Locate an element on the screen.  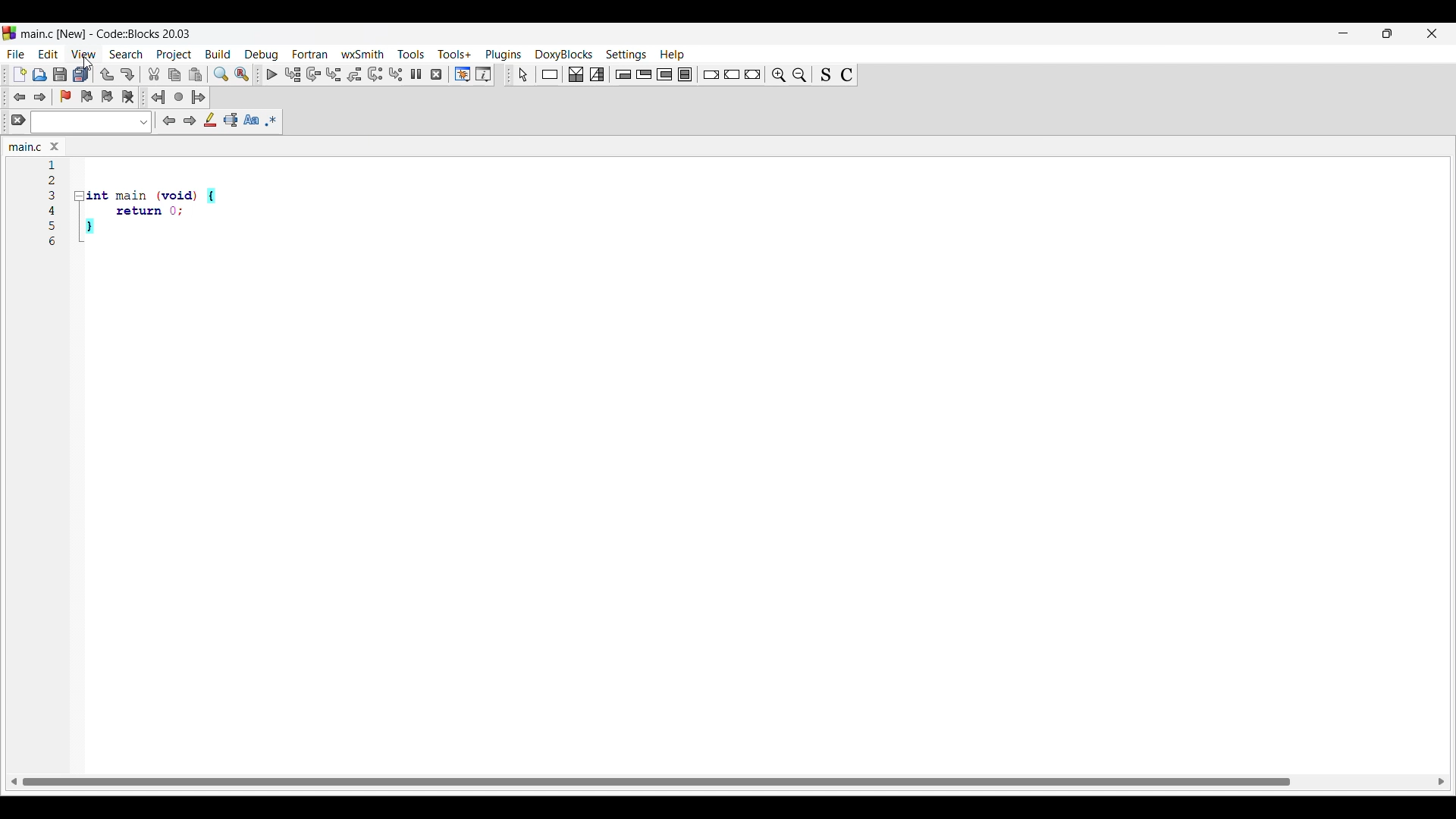
Copy is located at coordinates (174, 75).